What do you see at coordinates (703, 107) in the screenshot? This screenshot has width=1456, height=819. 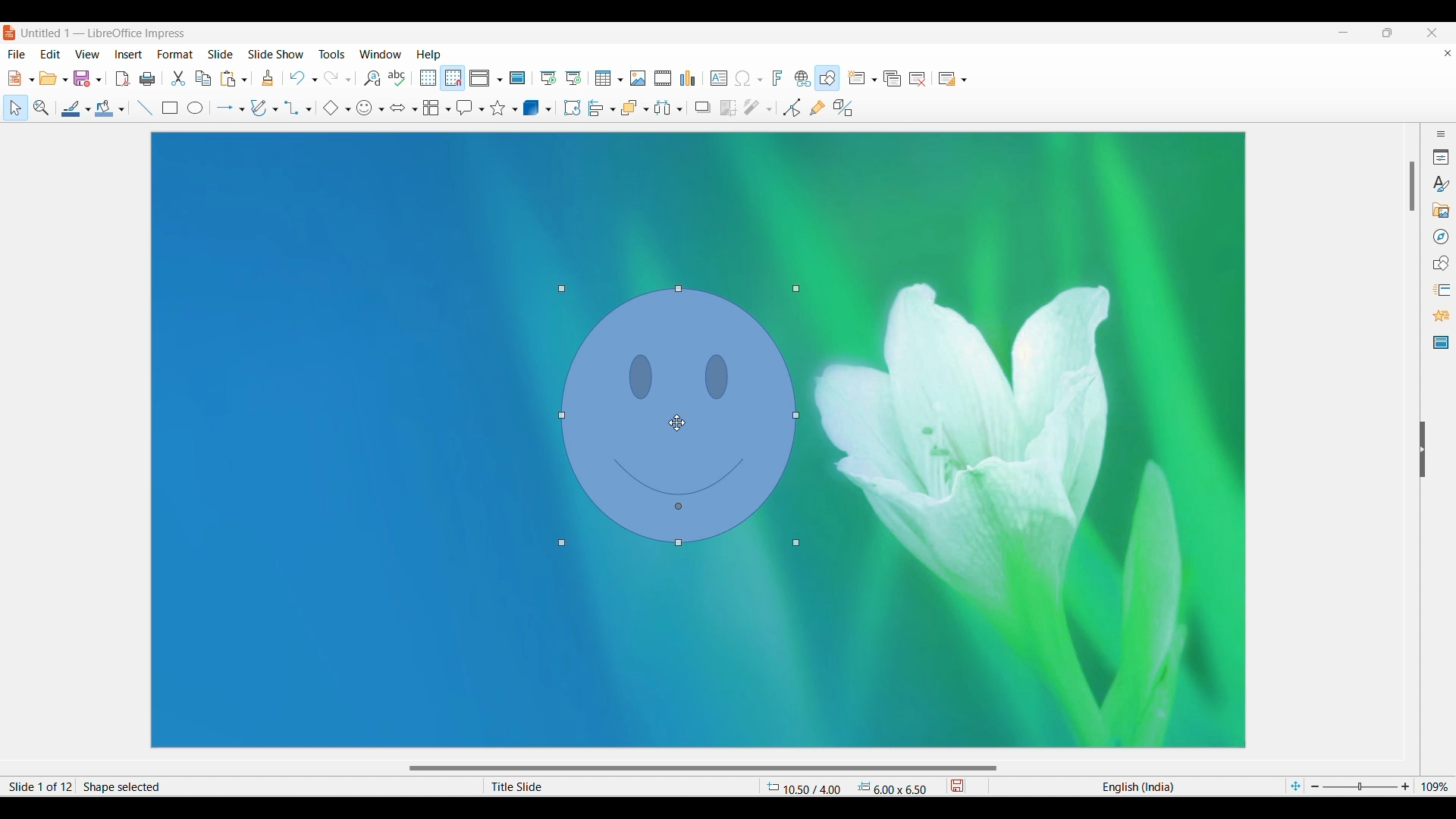 I see `Shadow` at bounding box center [703, 107].